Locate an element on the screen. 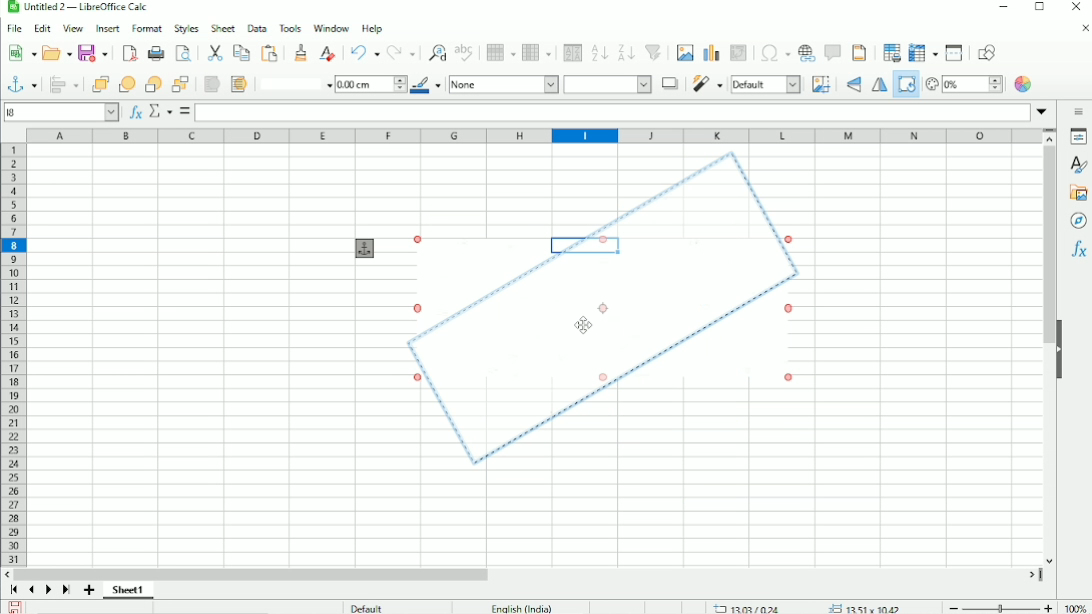 The width and height of the screenshot is (1092, 614). Paste is located at coordinates (269, 52).